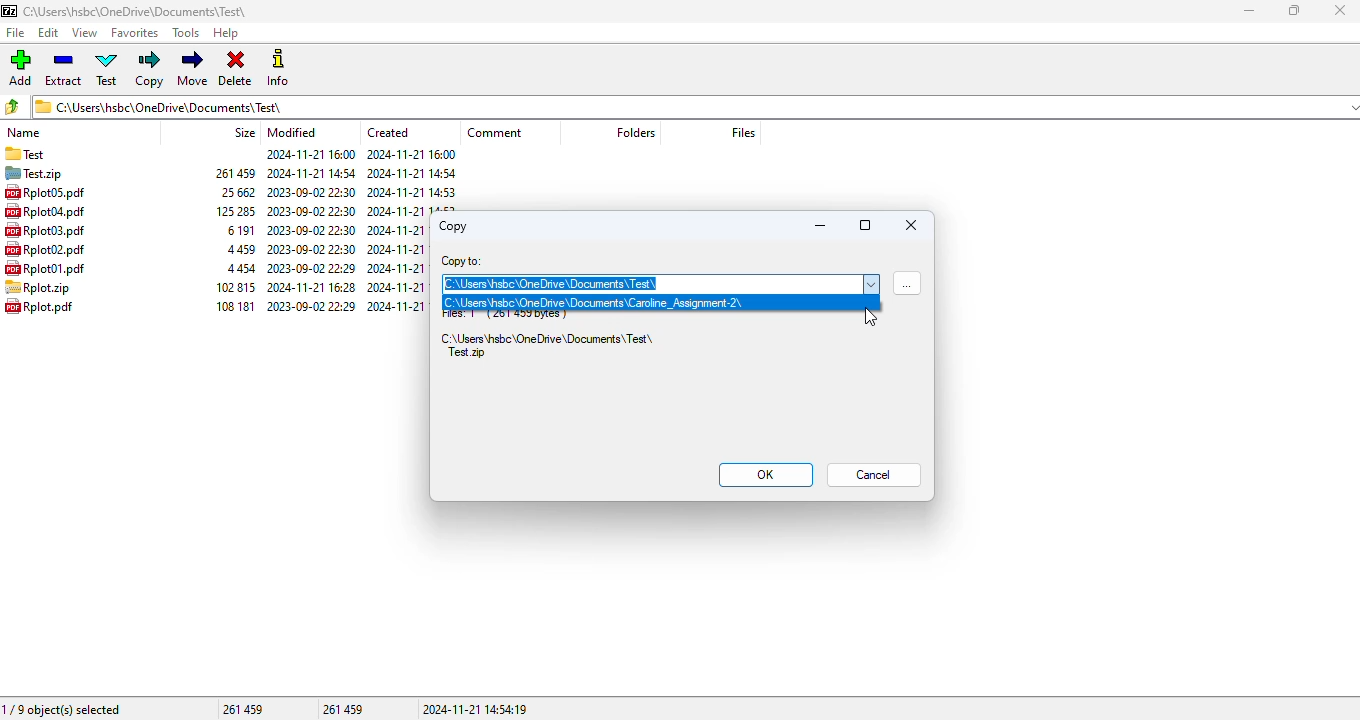 Image resolution: width=1360 pixels, height=720 pixels. Describe the element at coordinates (1340, 10) in the screenshot. I see `close` at that location.